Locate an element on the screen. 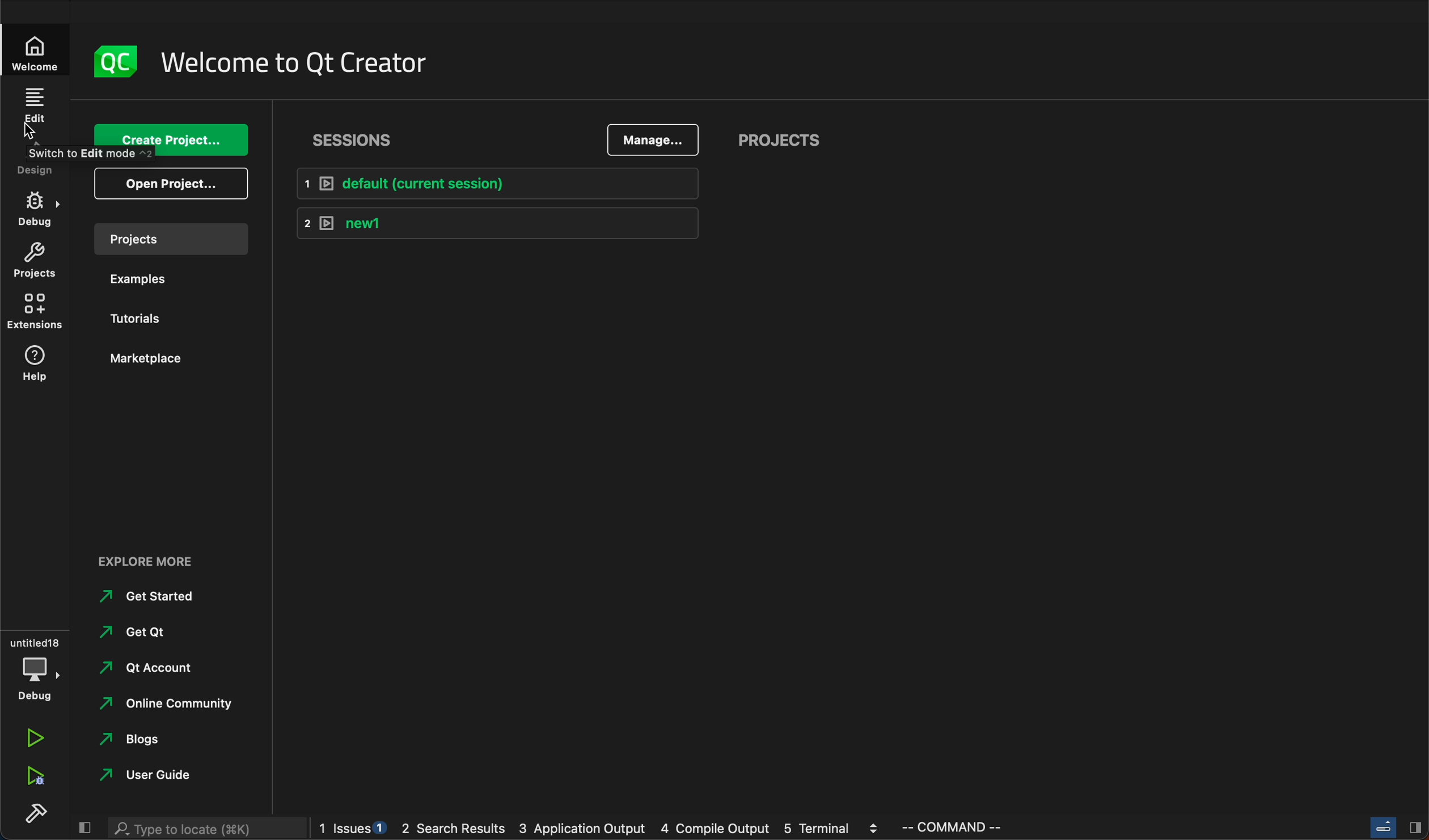 This screenshot has height=840, width=1429. help is located at coordinates (36, 364).